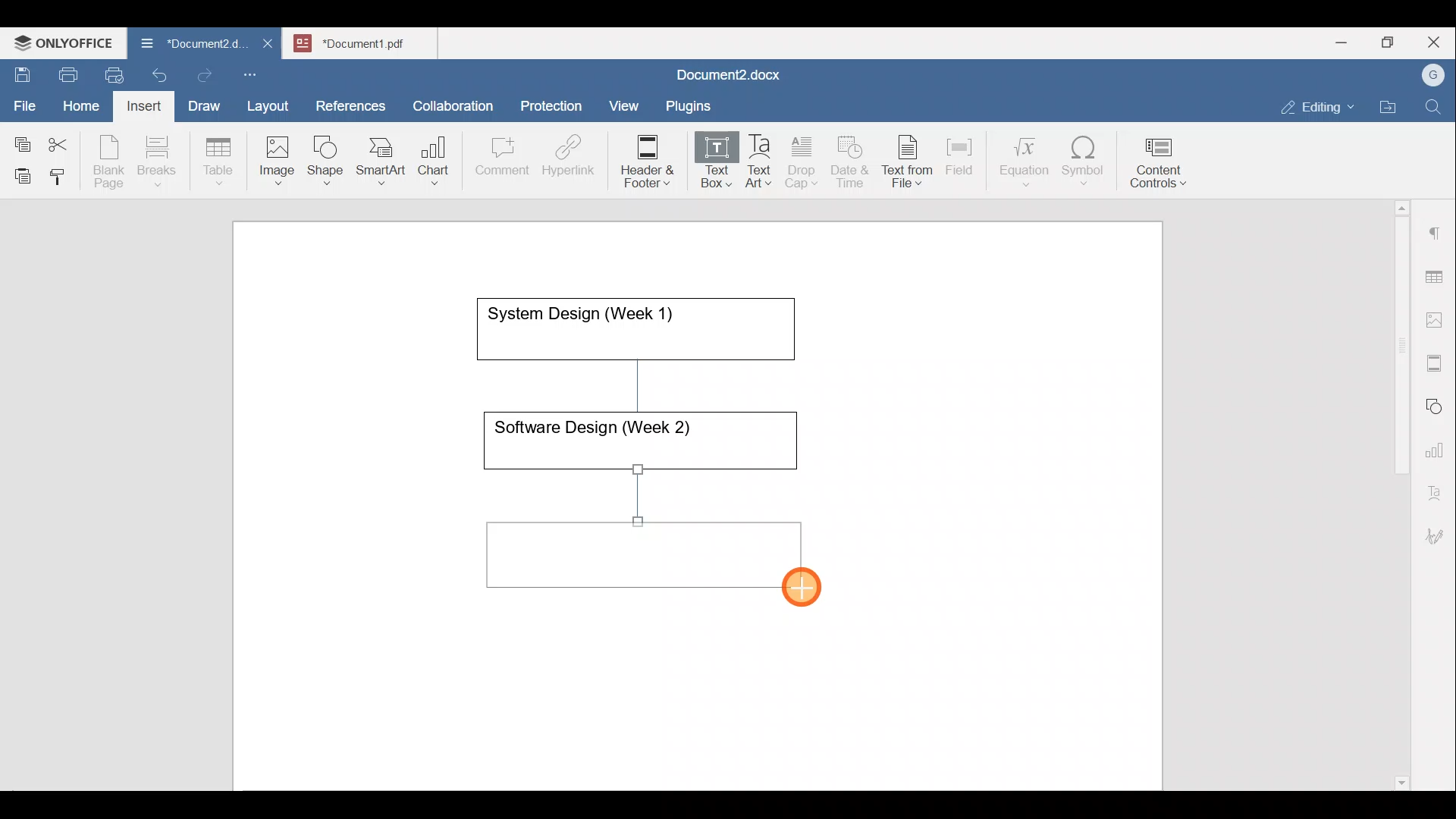 The image size is (1456, 819). Describe the element at coordinates (111, 162) in the screenshot. I see `Blank page` at that location.